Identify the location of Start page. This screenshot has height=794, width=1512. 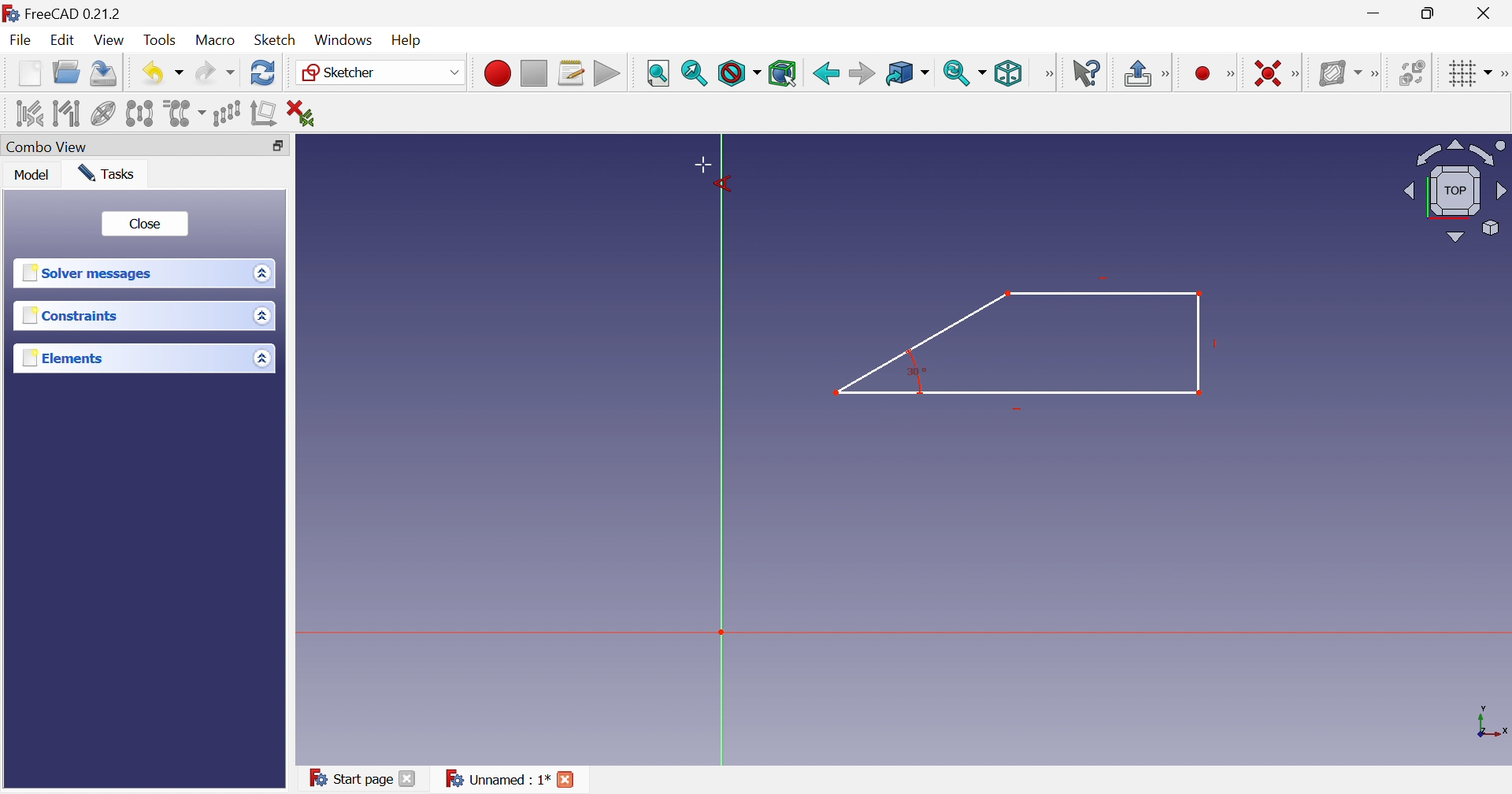
(345, 776).